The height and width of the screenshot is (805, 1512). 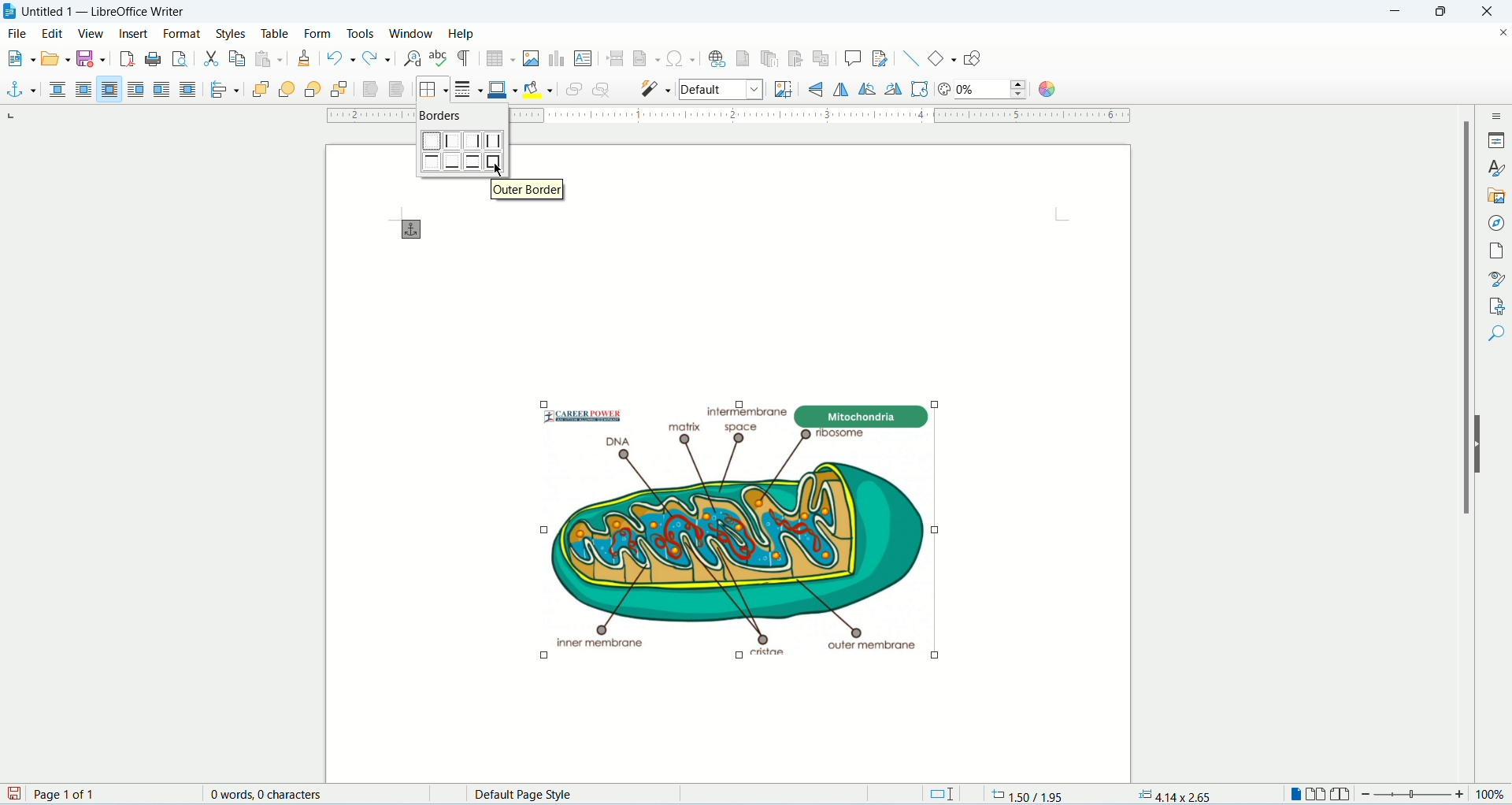 I want to click on borders, so click(x=432, y=90).